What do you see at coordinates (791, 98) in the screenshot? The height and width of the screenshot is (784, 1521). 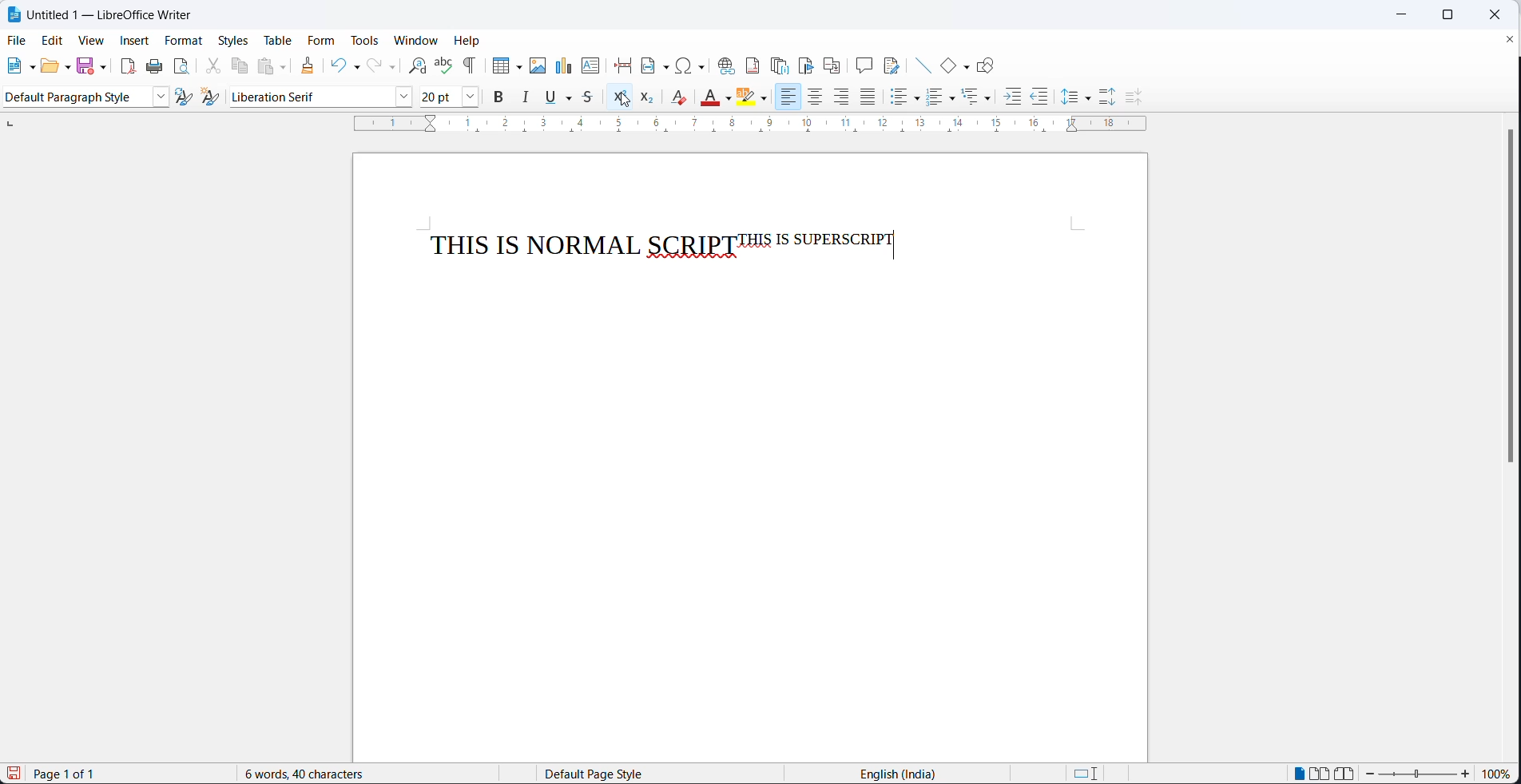 I see `text align left` at bounding box center [791, 98].